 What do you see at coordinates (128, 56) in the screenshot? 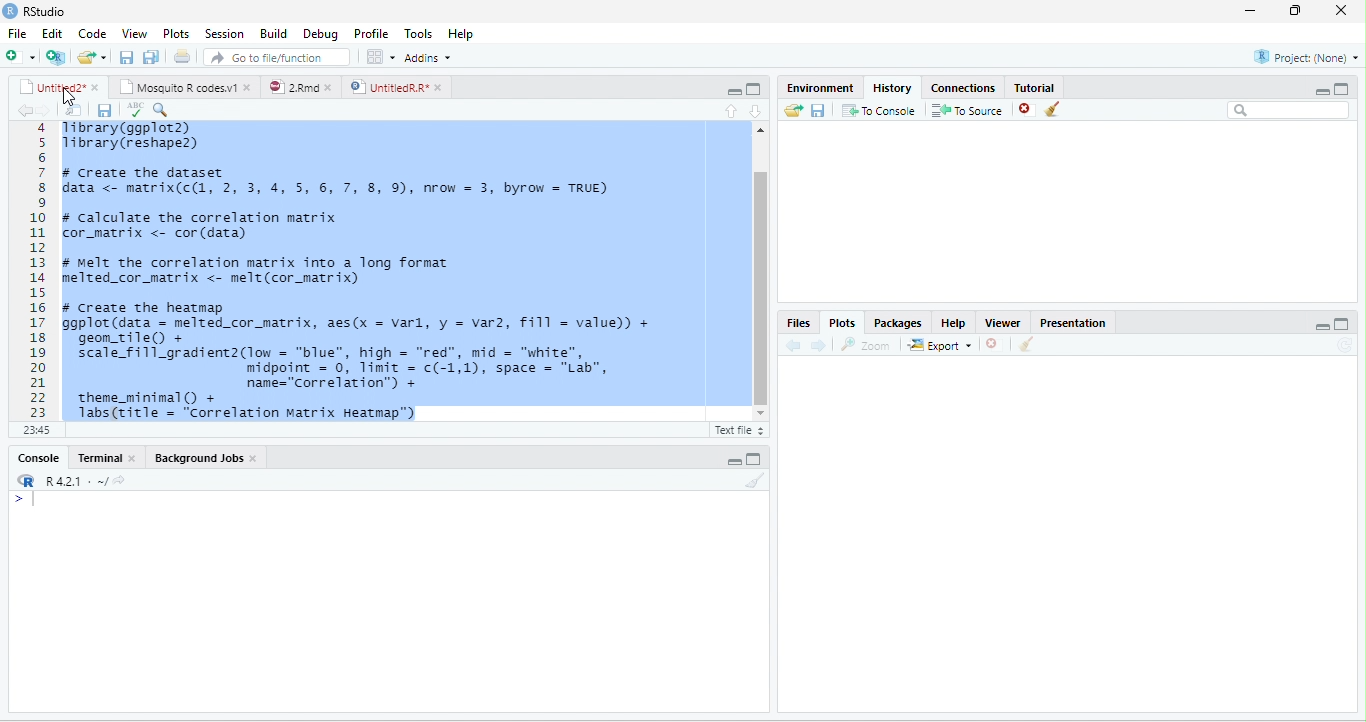
I see `previous file saction` at bounding box center [128, 56].